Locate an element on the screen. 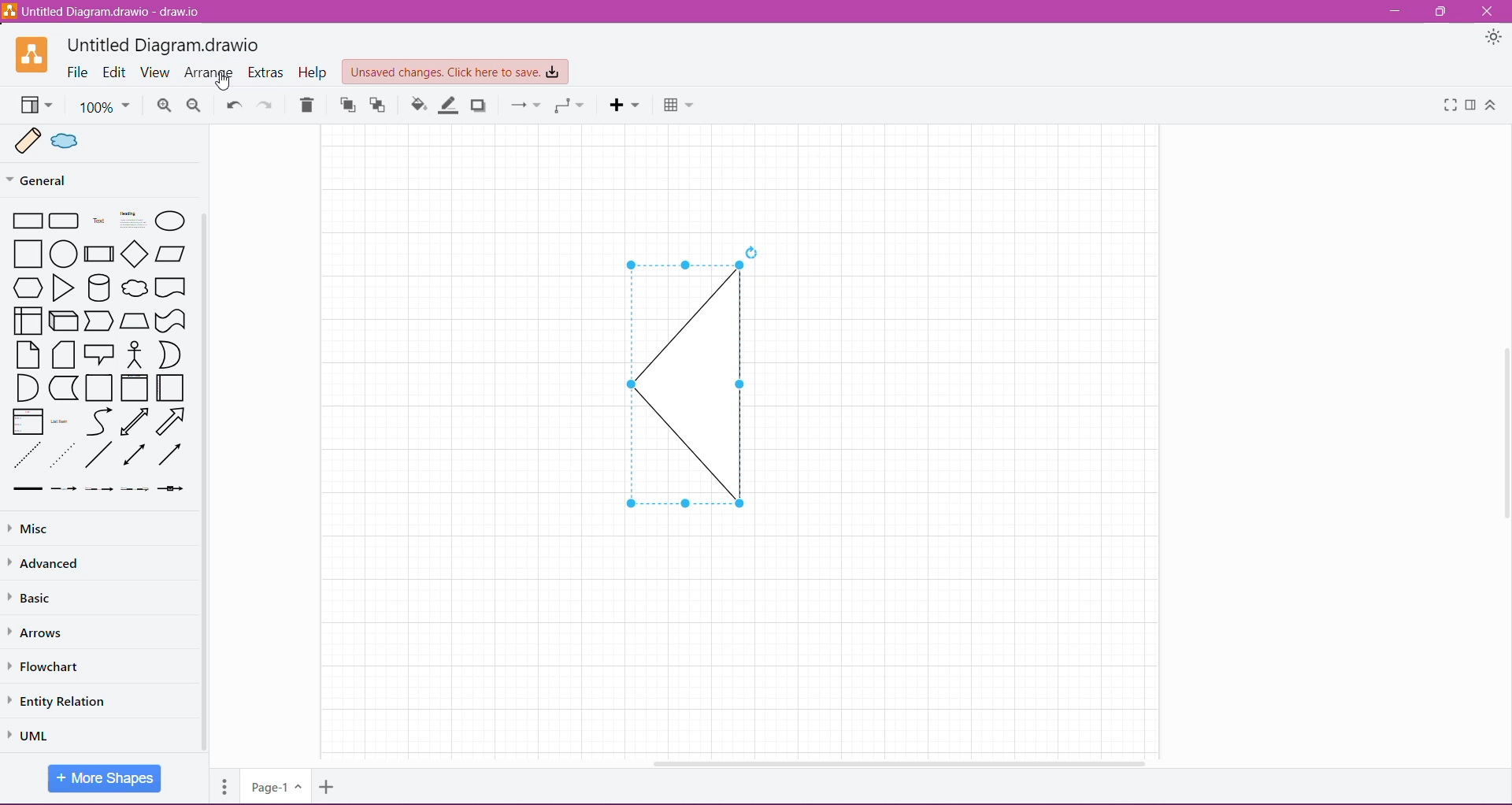 This screenshot has width=1512, height=805. Connectors is located at coordinates (525, 105).